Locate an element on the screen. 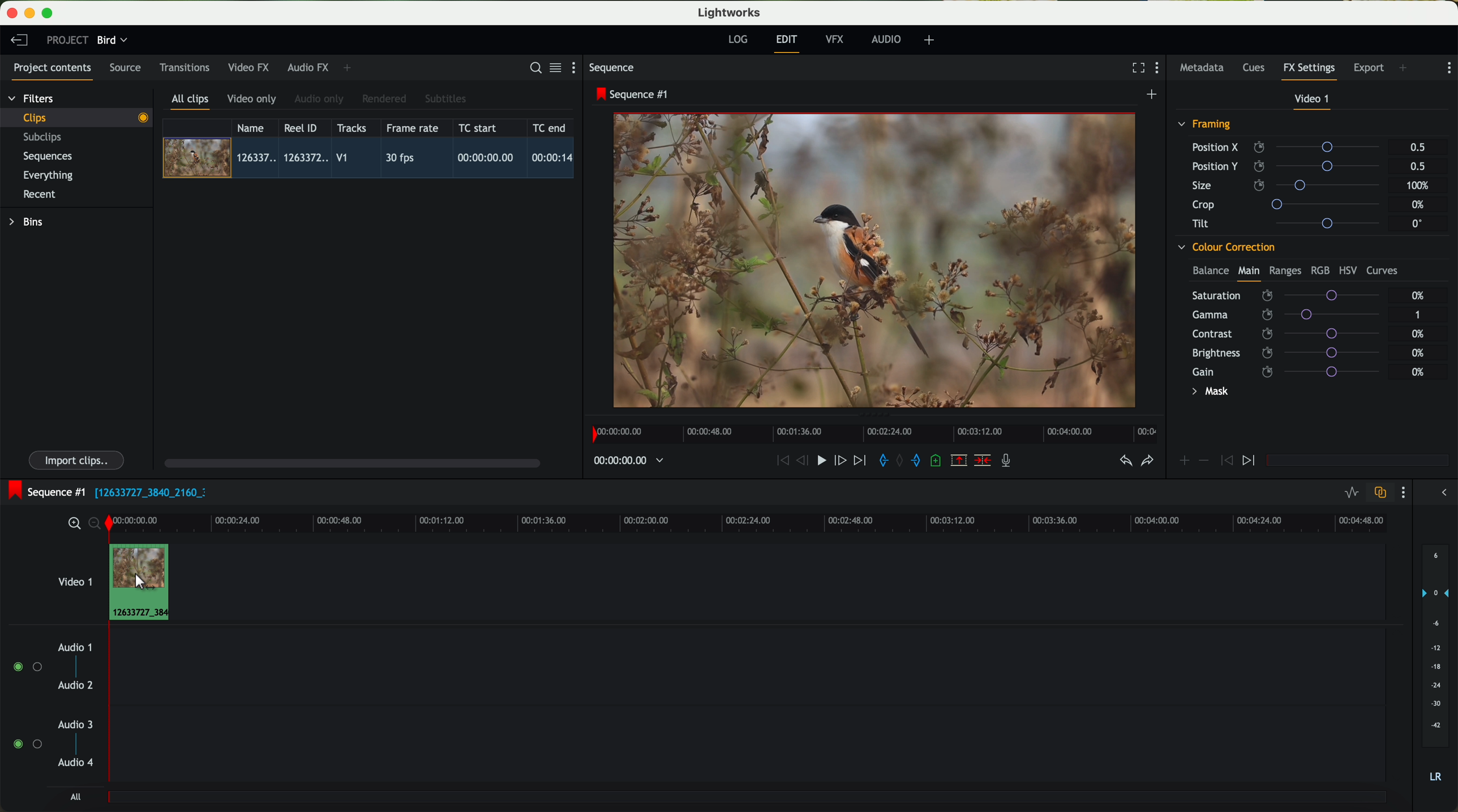  all is located at coordinates (75, 797).